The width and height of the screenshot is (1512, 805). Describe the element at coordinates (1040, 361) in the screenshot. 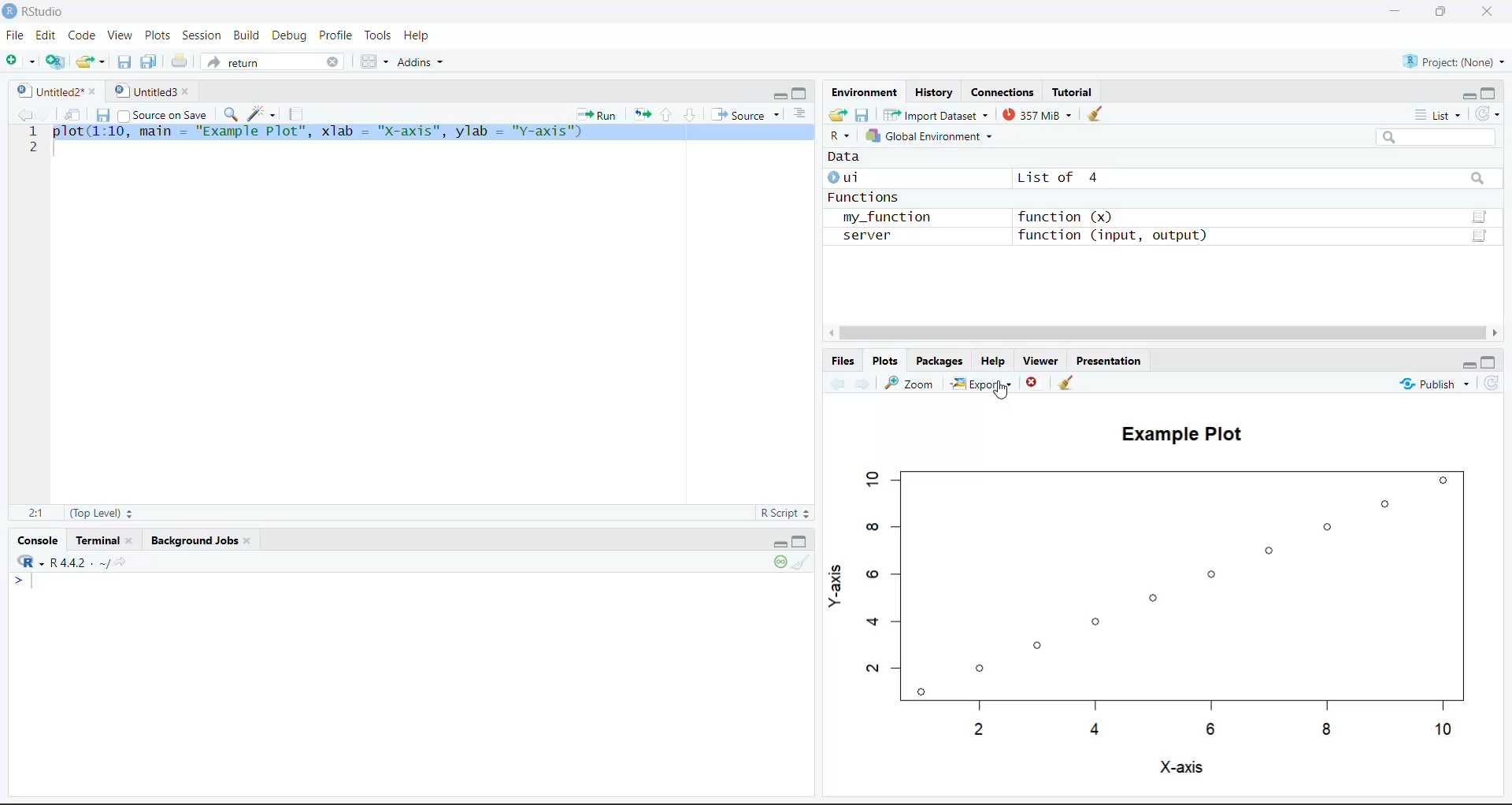

I see `Viewer` at that location.